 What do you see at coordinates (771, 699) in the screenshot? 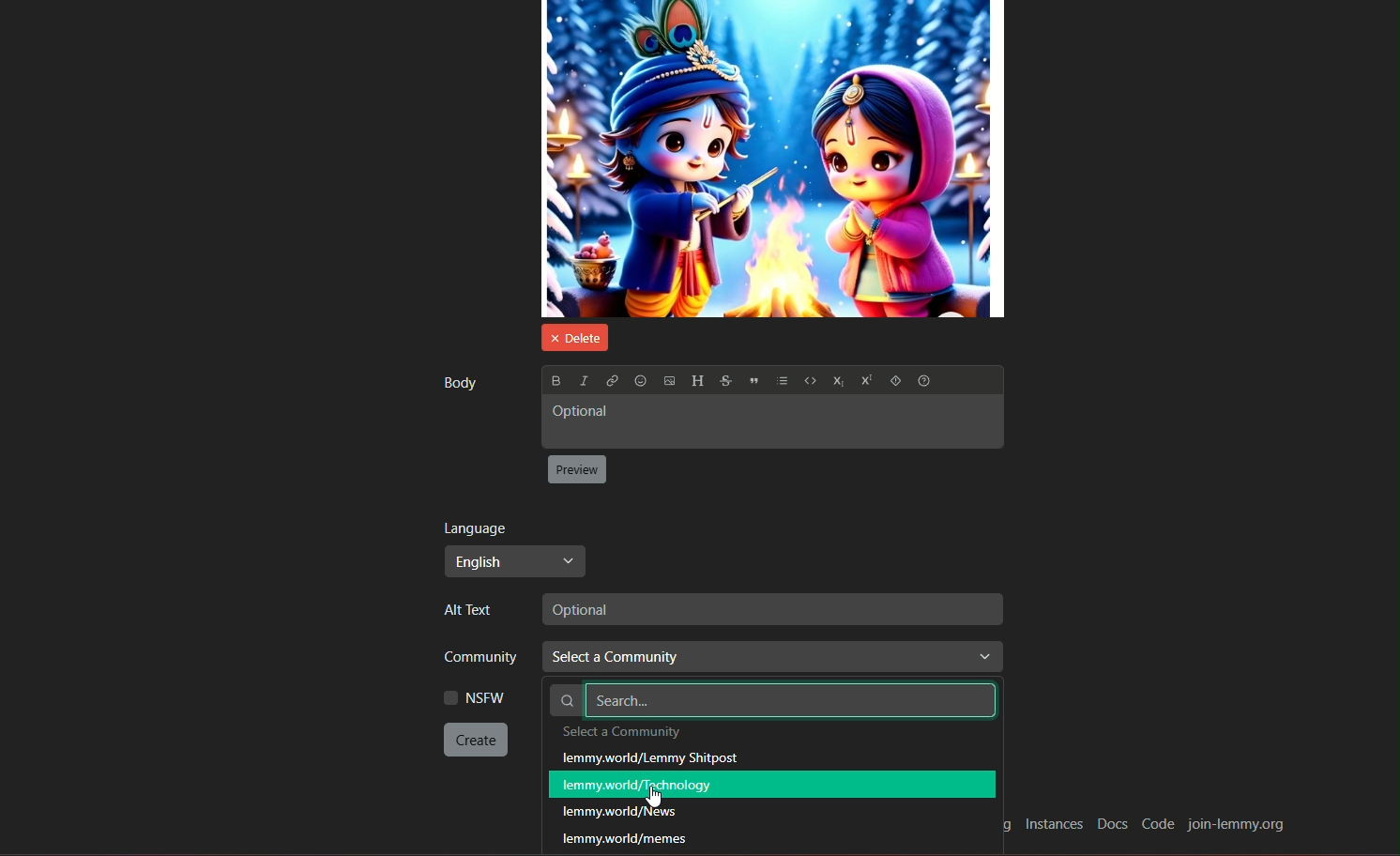
I see `Search` at bounding box center [771, 699].